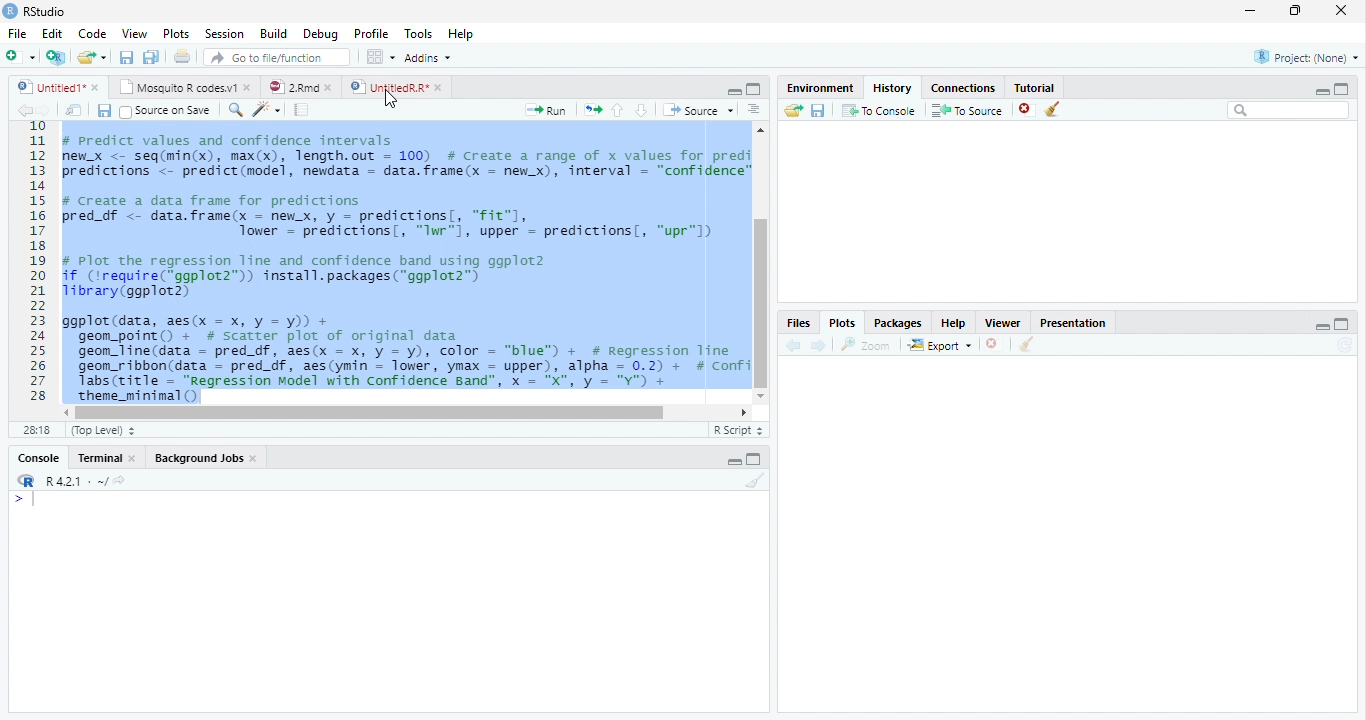  I want to click on Addins, so click(429, 57).